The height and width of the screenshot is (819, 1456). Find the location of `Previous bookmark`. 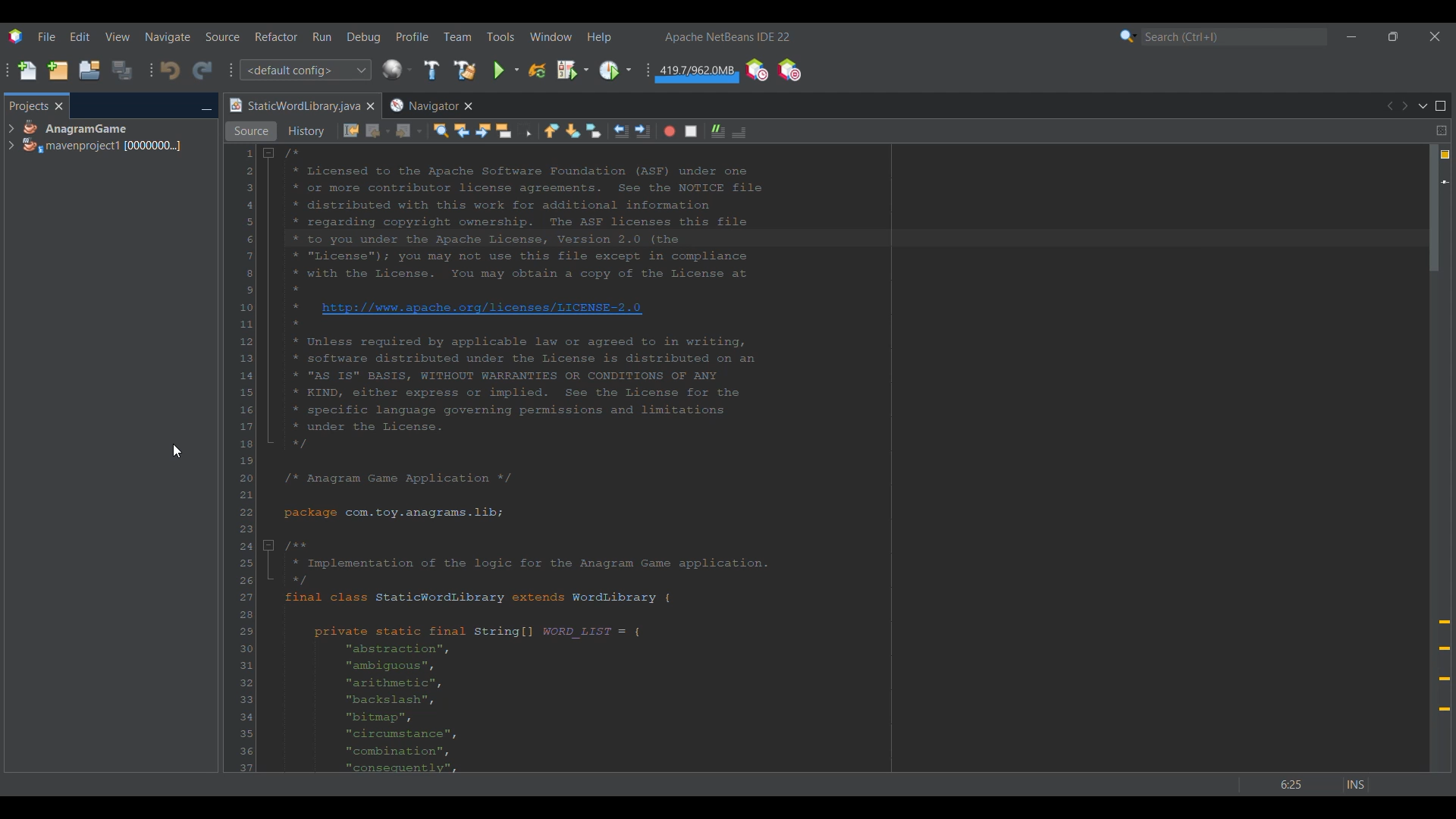

Previous bookmark is located at coordinates (551, 130).